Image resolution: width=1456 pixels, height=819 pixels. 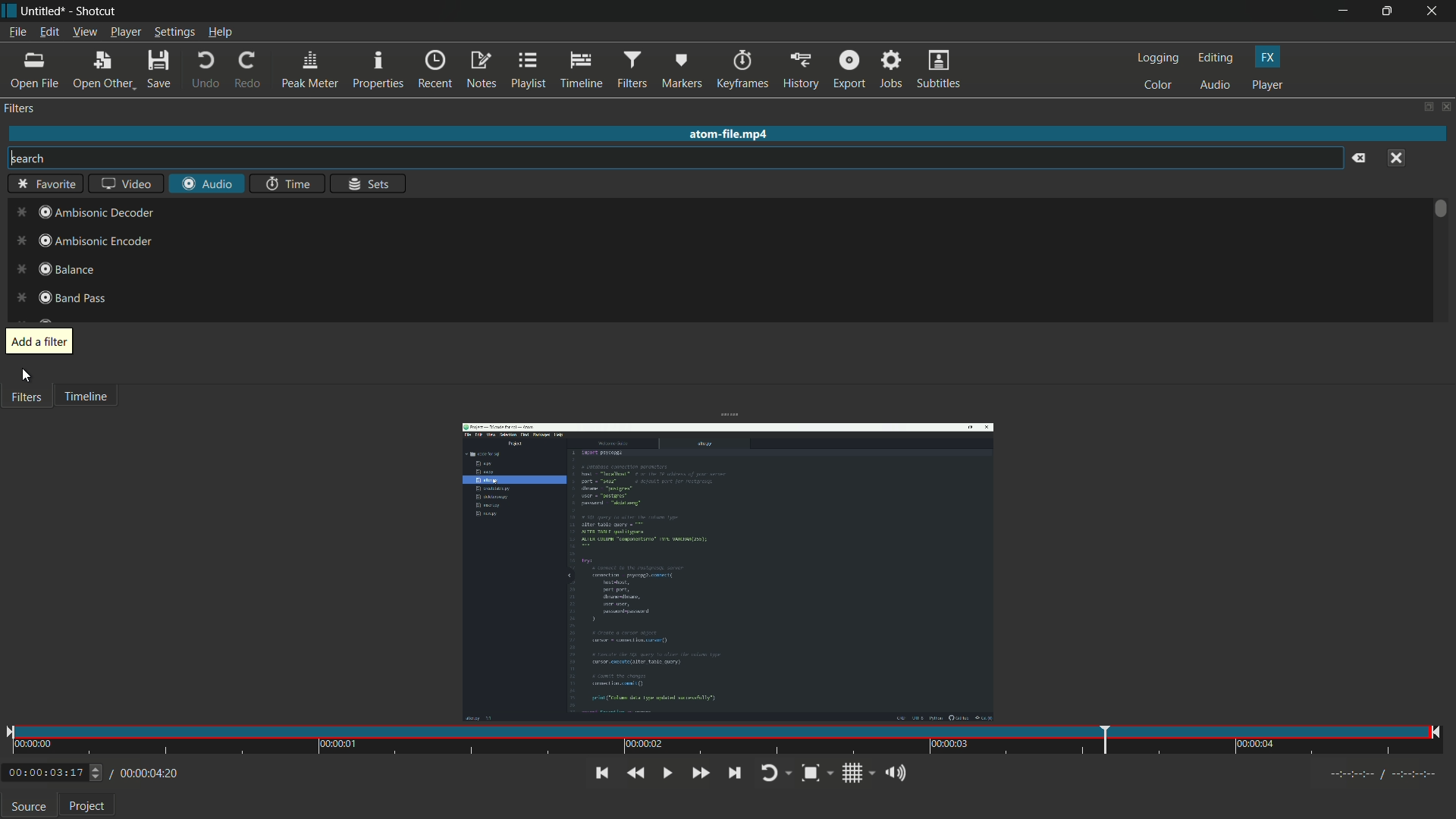 What do you see at coordinates (174, 32) in the screenshot?
I see `settings menu` at bounding box center [174, 32].